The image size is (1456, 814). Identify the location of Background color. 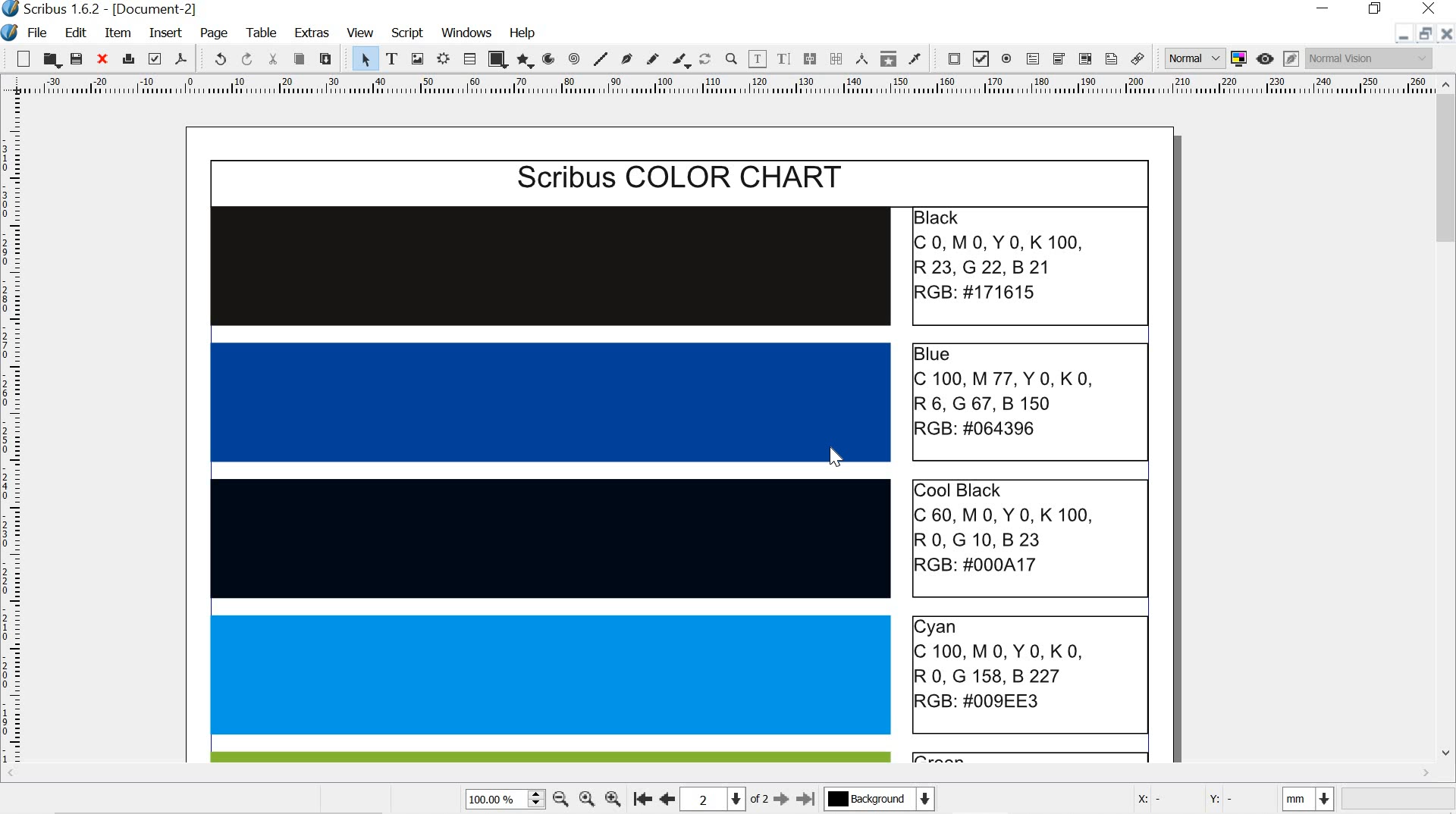
(878, 799).